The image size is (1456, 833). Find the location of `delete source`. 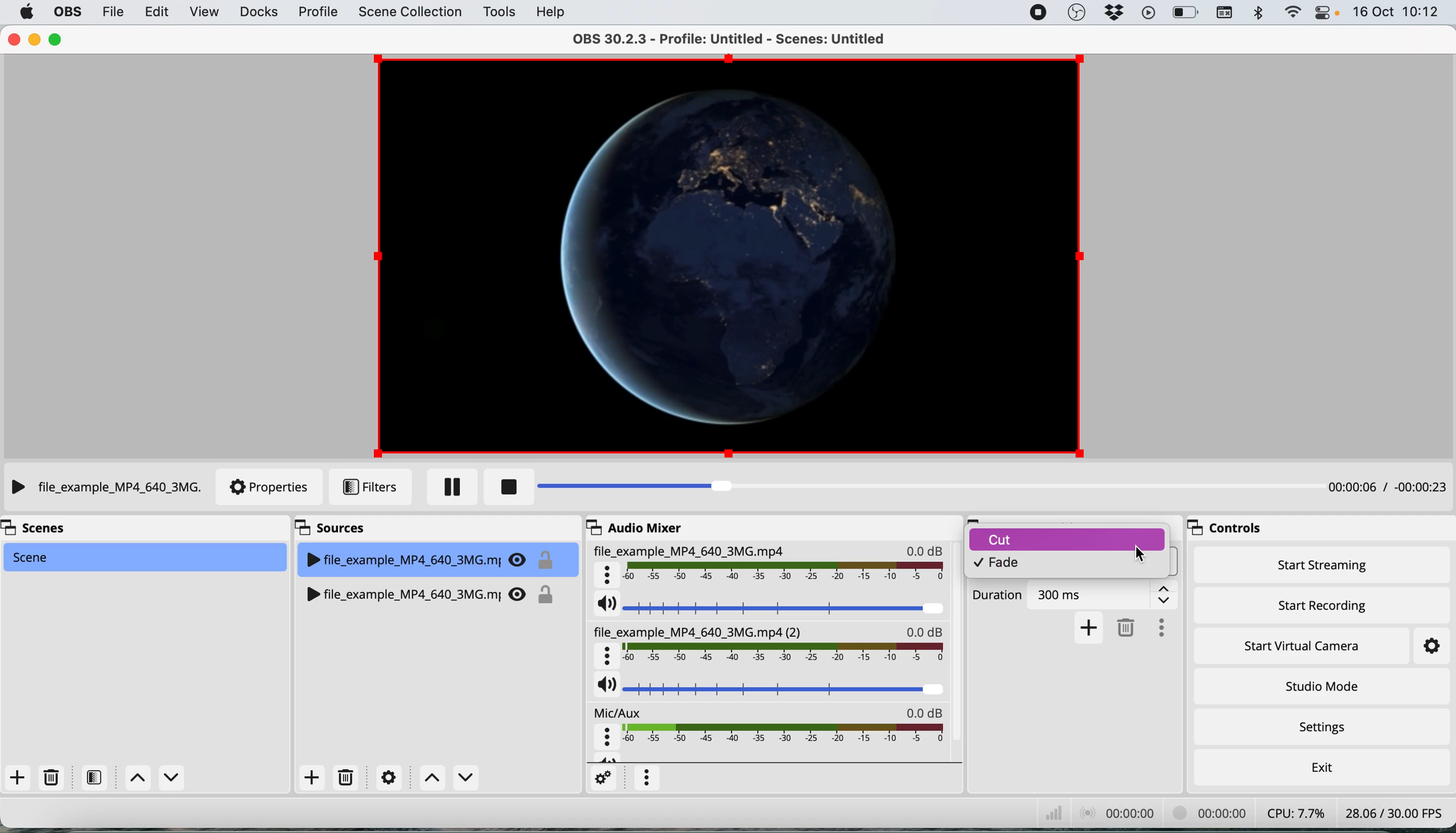

delete source is located at coordinates (345, 778).